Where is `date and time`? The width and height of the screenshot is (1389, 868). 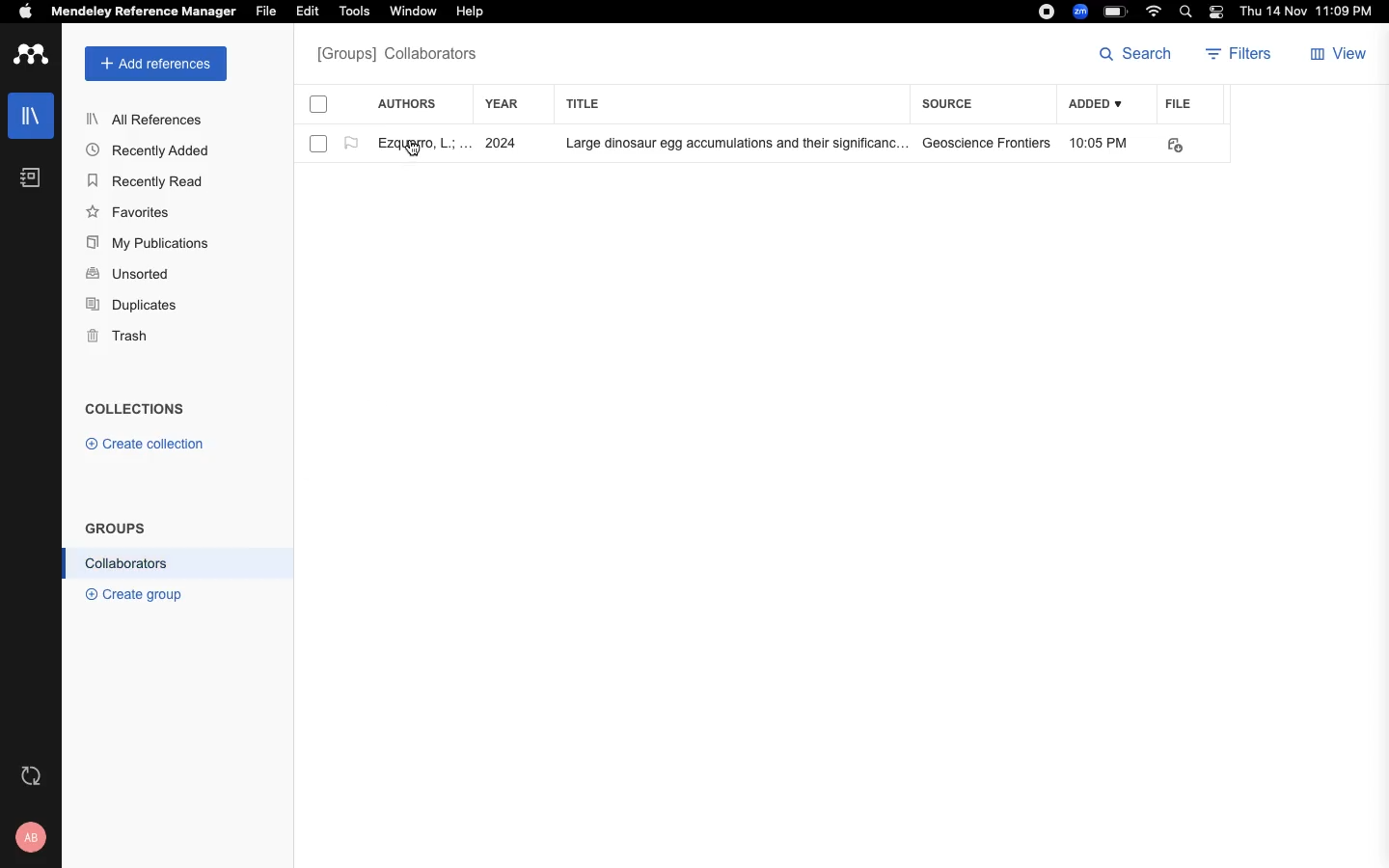 date and time is located at coordinates (1302, 14).